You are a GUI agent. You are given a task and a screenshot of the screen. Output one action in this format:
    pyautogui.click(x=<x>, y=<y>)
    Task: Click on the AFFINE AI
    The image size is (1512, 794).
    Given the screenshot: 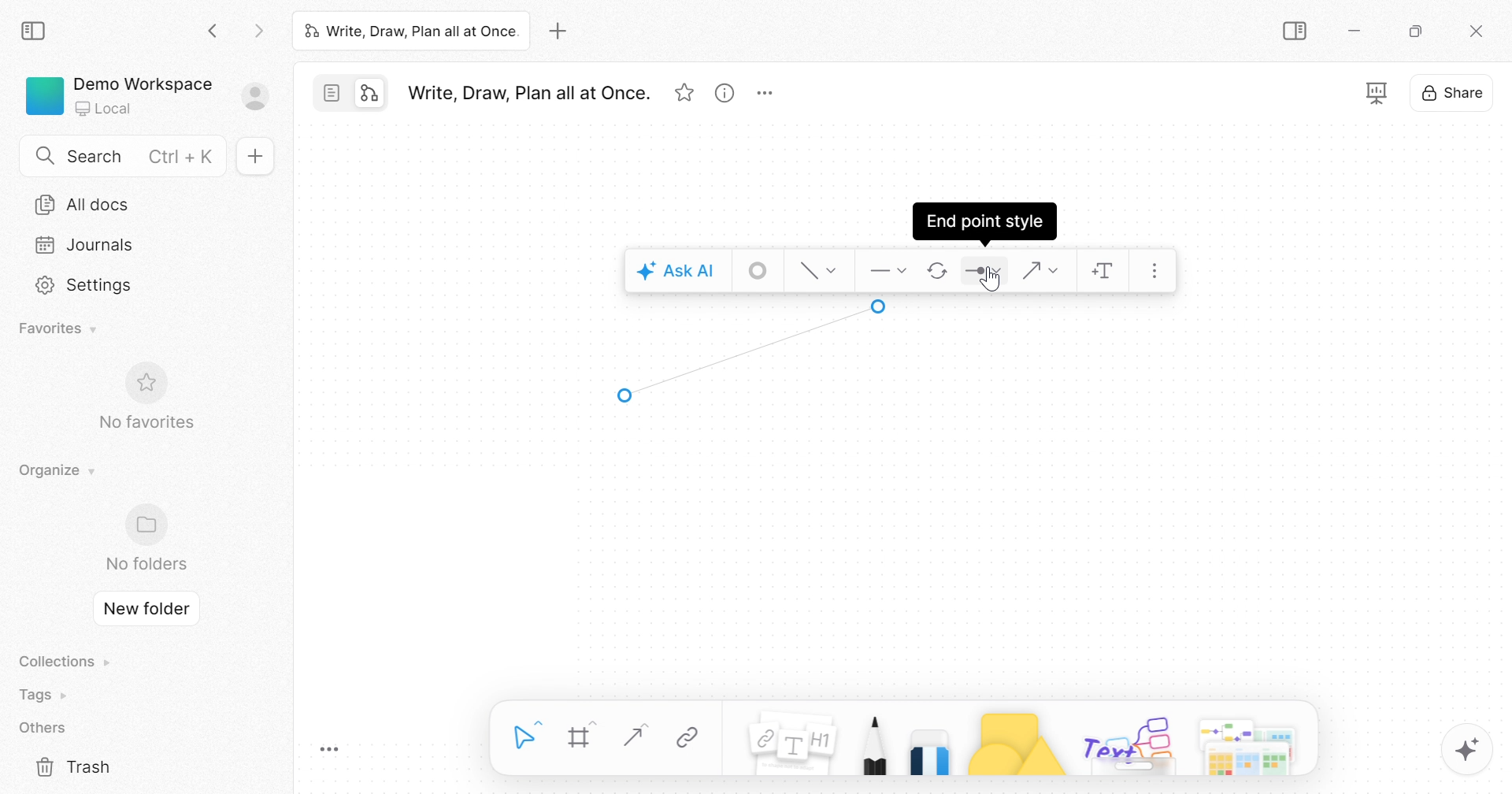 What is the action you would take?
    pyautogui.click(x=1469, y=753)
    